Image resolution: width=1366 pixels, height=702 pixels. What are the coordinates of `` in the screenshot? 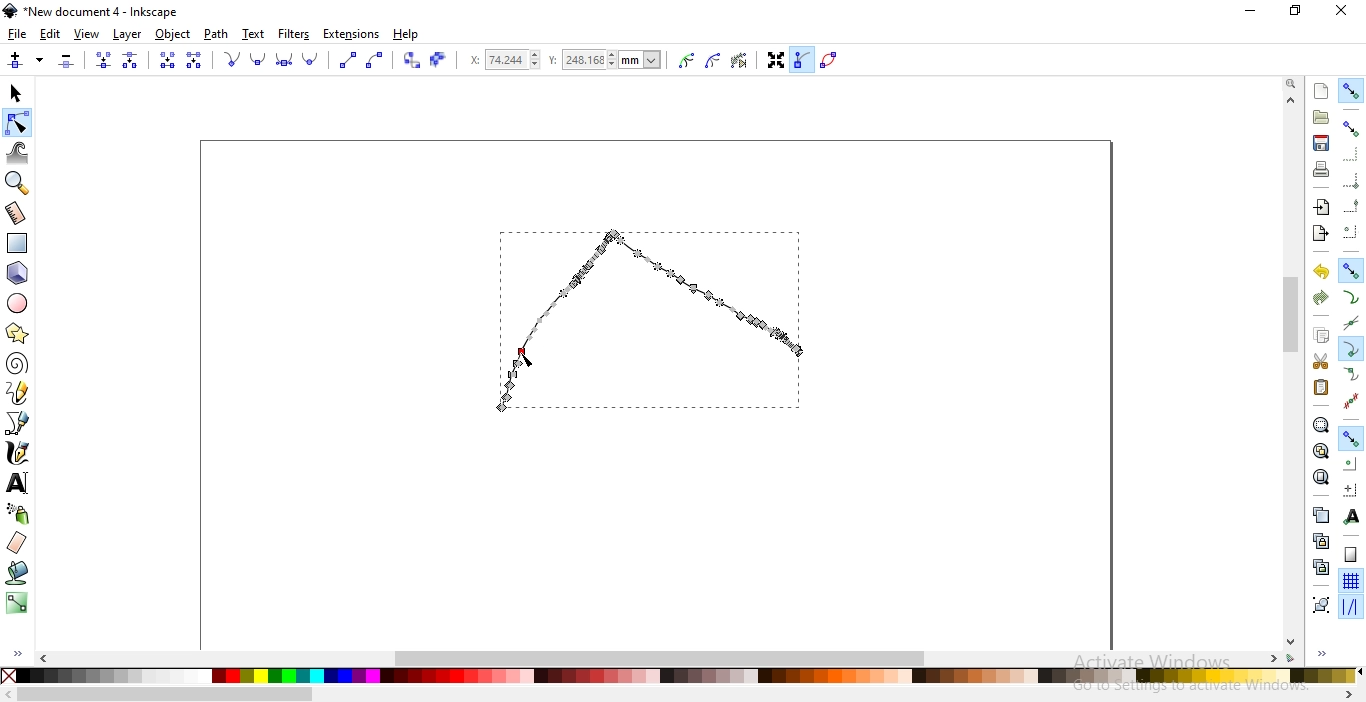 It's located at (1351, 554).